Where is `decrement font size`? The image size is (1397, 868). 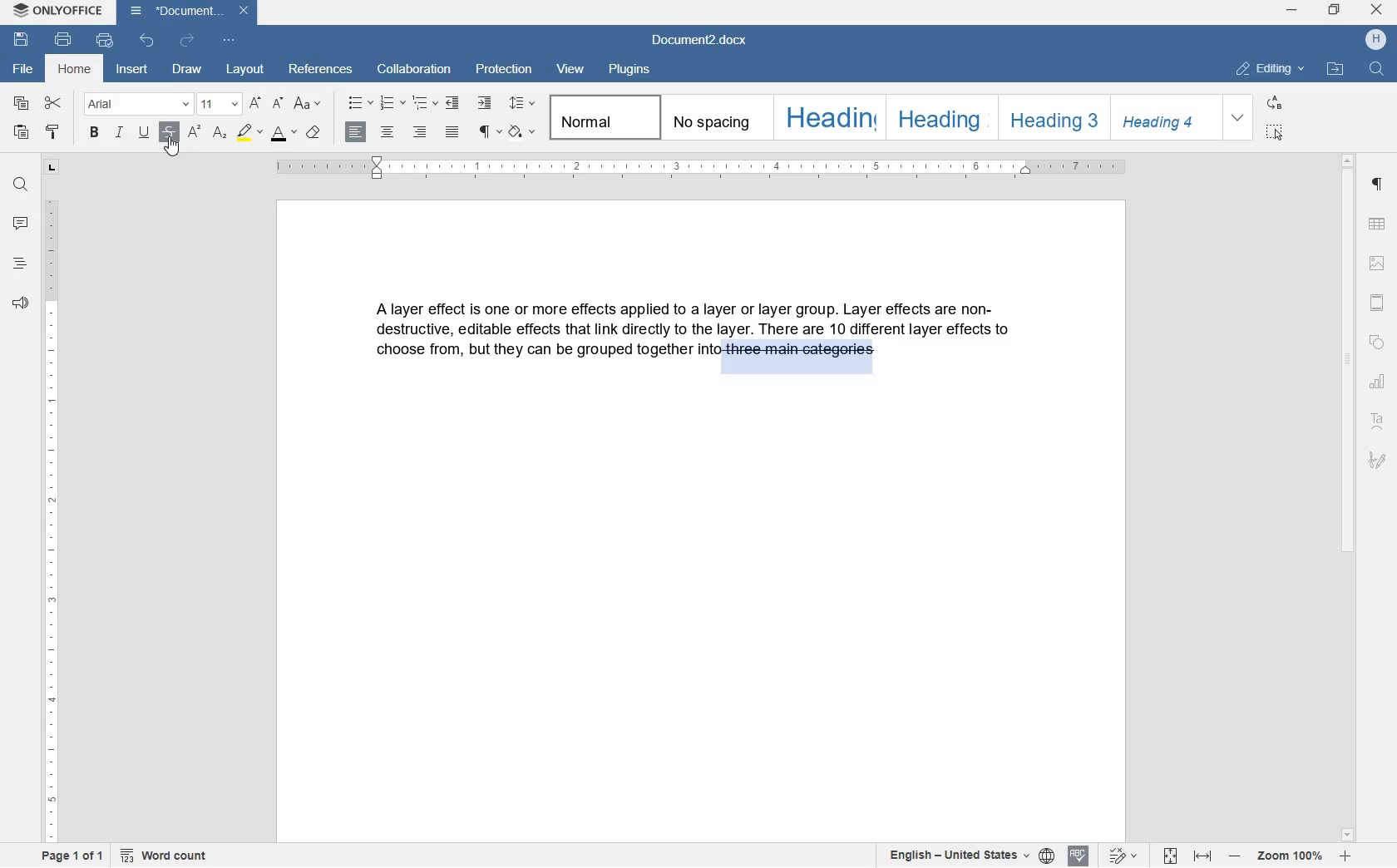
decrement font size is located at coordinates (279, 104).